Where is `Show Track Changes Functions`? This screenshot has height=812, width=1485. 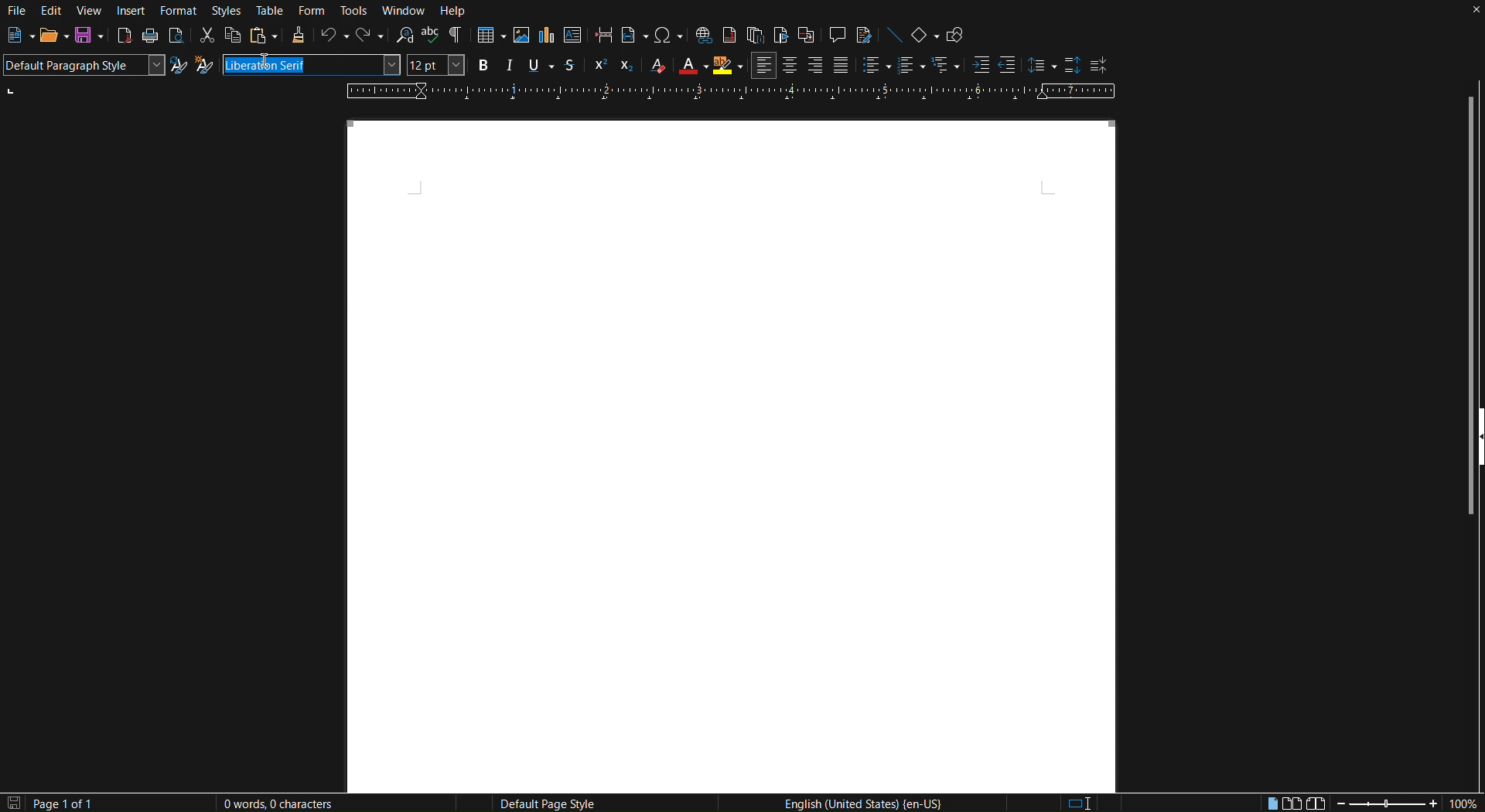 Show Track Changes Functions is located at coordinates (865, 37).